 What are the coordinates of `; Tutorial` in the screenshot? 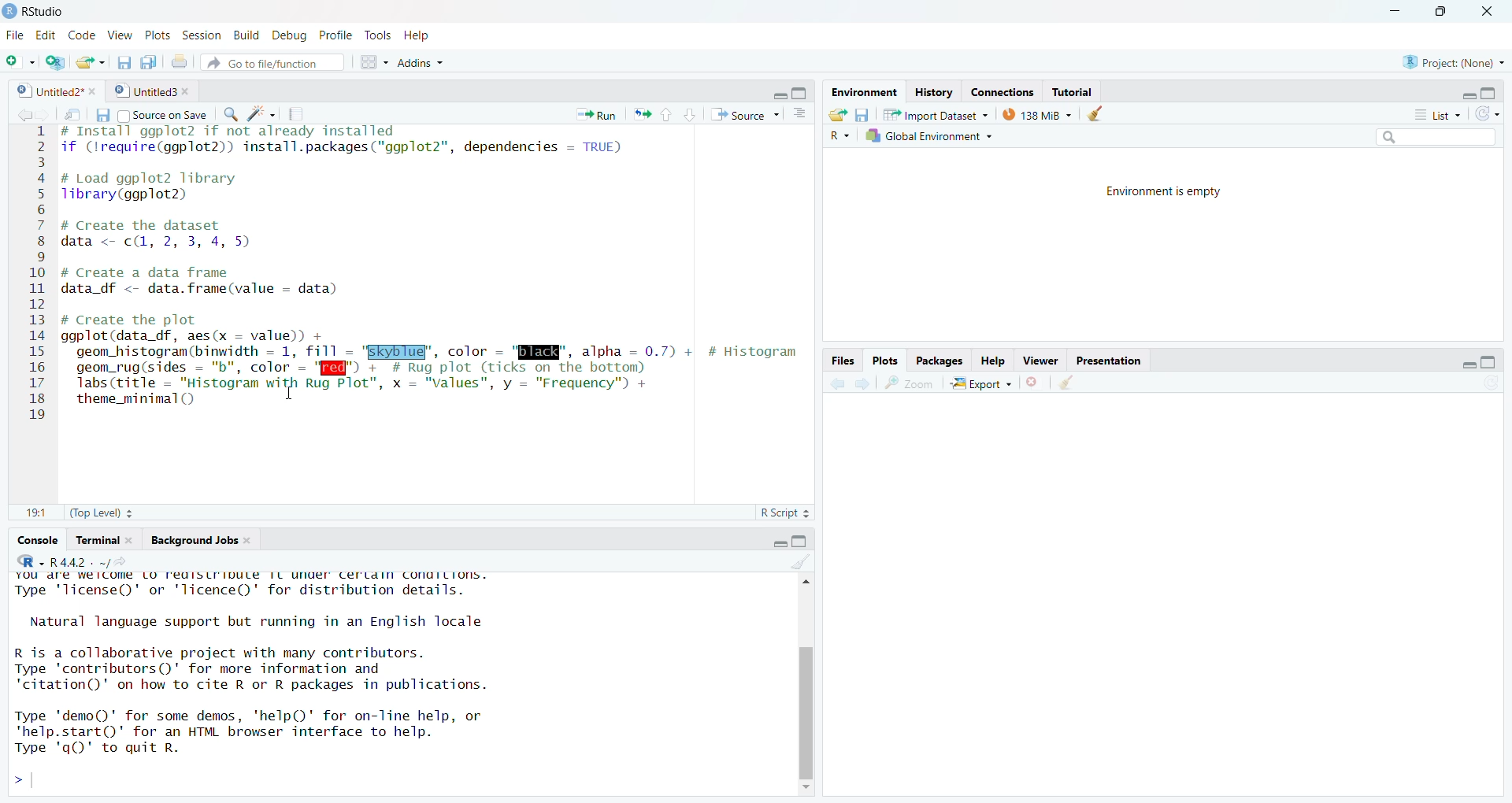 It's located at (1083, 90).